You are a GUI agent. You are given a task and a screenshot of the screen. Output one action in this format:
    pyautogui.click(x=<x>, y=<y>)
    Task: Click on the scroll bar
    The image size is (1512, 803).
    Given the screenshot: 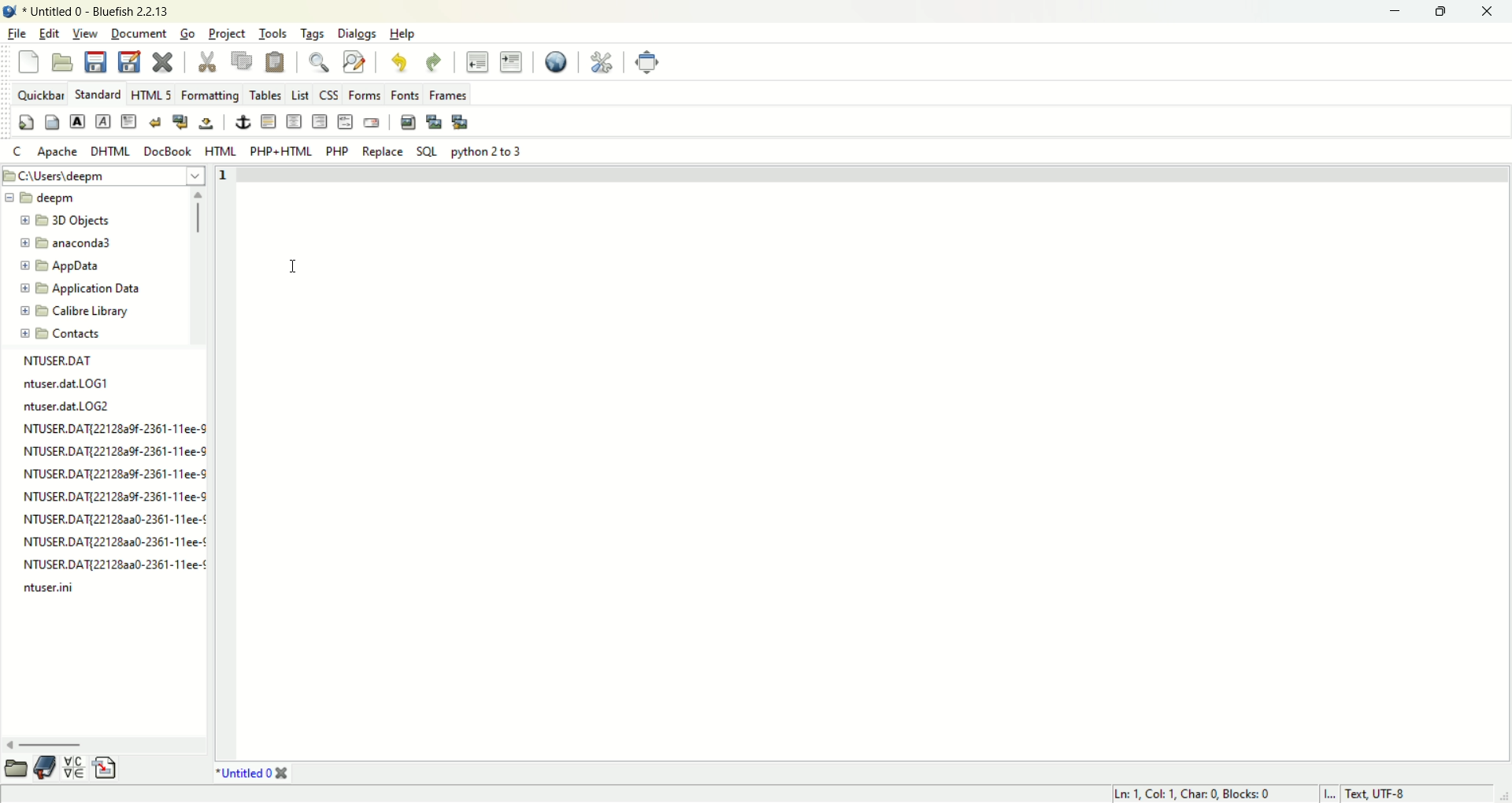 What is the action you would take?
    pyautogui.click(x=201, y=272)
    